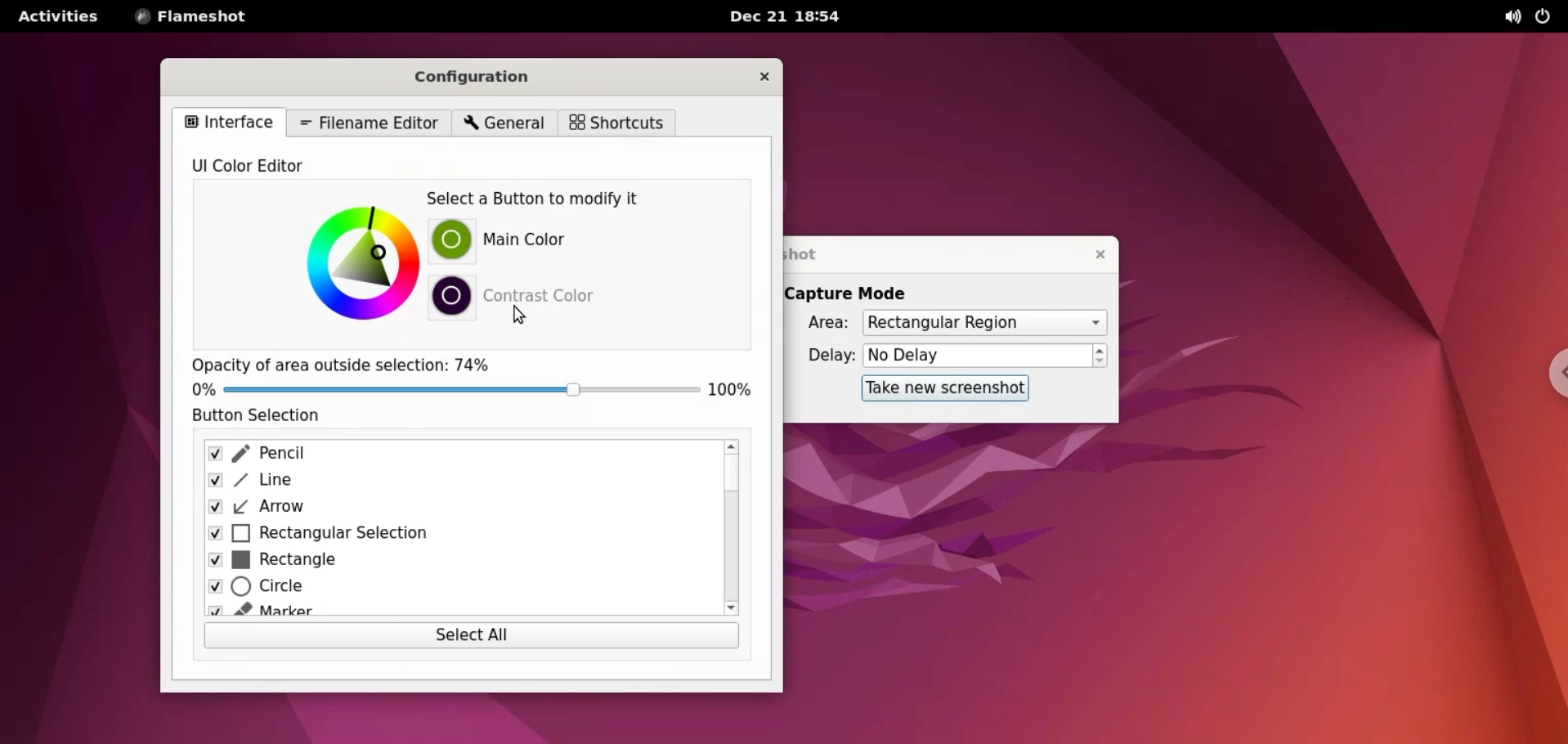  Describe the element at coordinates (859, 292) in the screenshot. I see `capture mode` at that location.